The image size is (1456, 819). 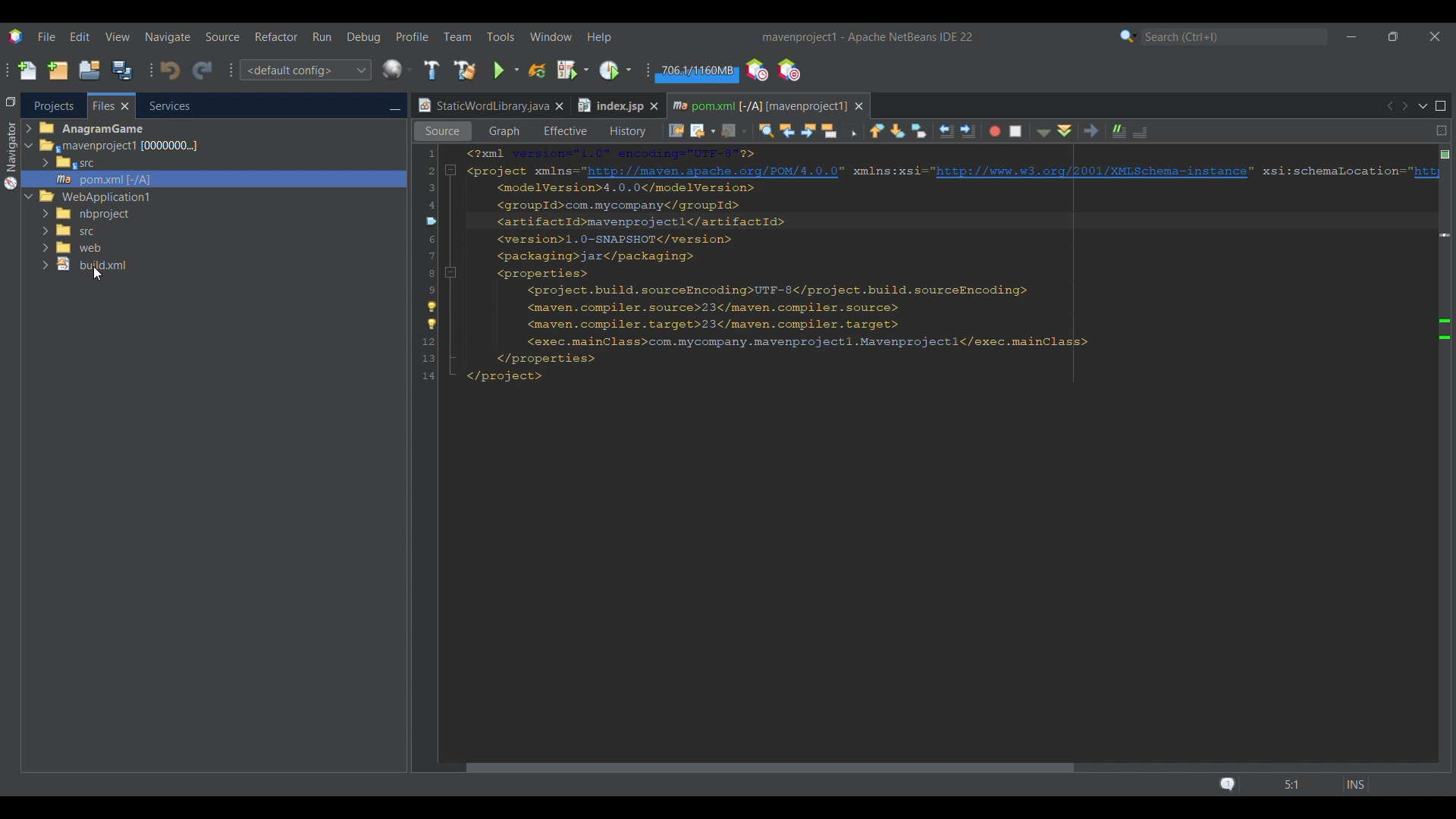 What do you see at coordinates (431, 70) in the screenshot?
I see `Build main project` at bounding box center [431, 70].